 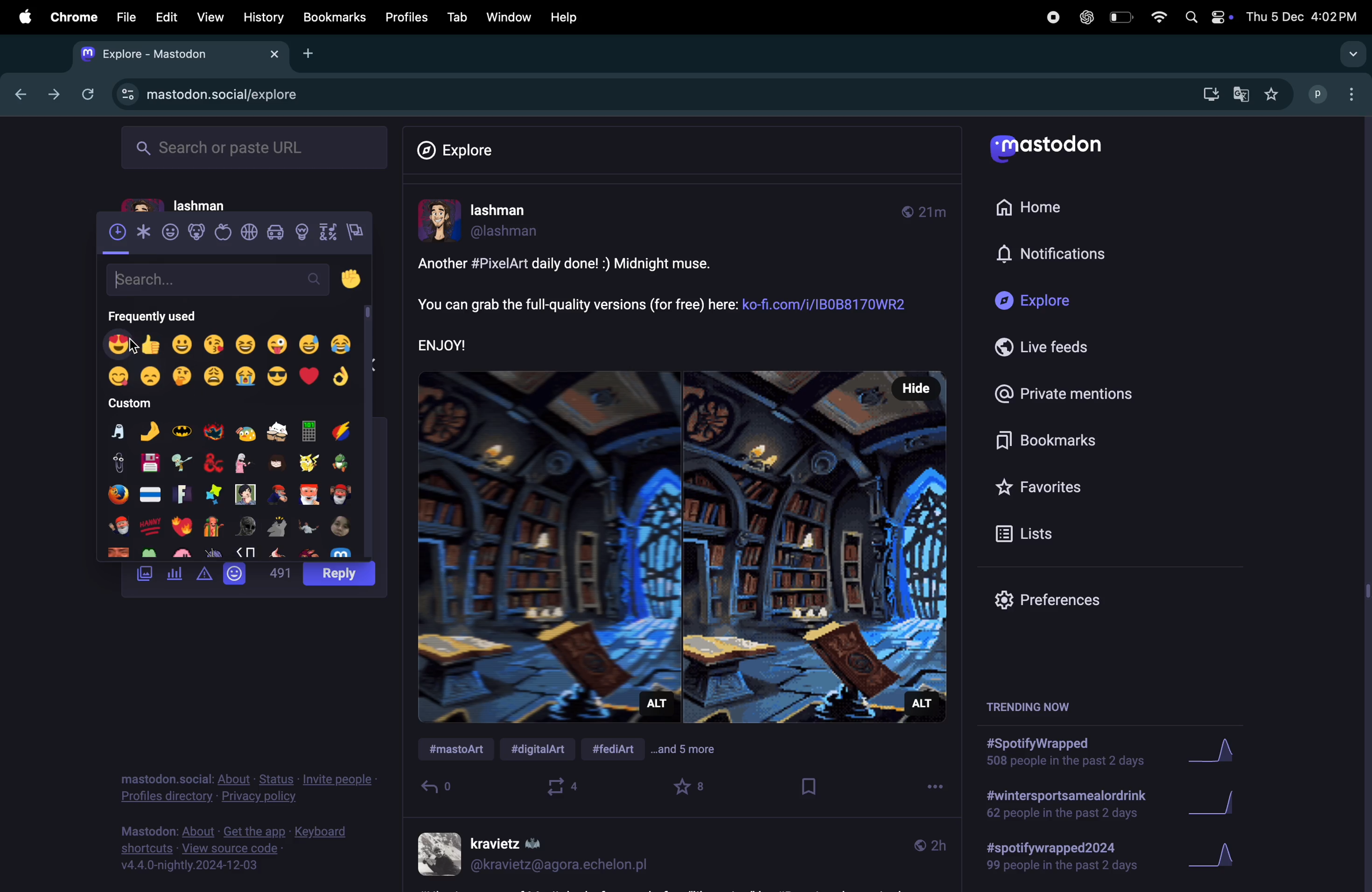 I want to click on apple menu, so click(x=22, y=17).